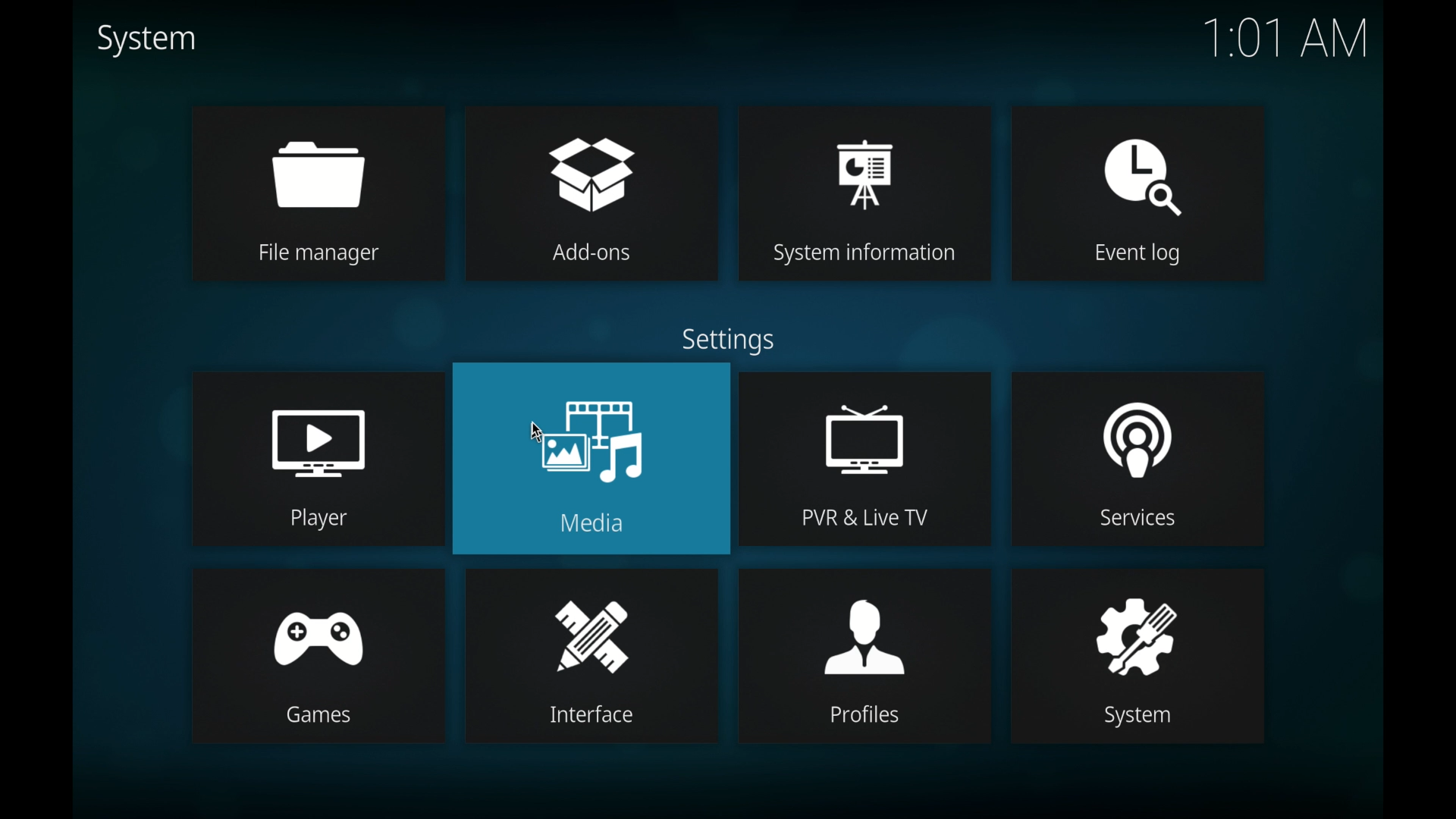  What do you see at coordinates (543, 430) in the screenshot?
I see `cursor` at bounding box center [543, 430].